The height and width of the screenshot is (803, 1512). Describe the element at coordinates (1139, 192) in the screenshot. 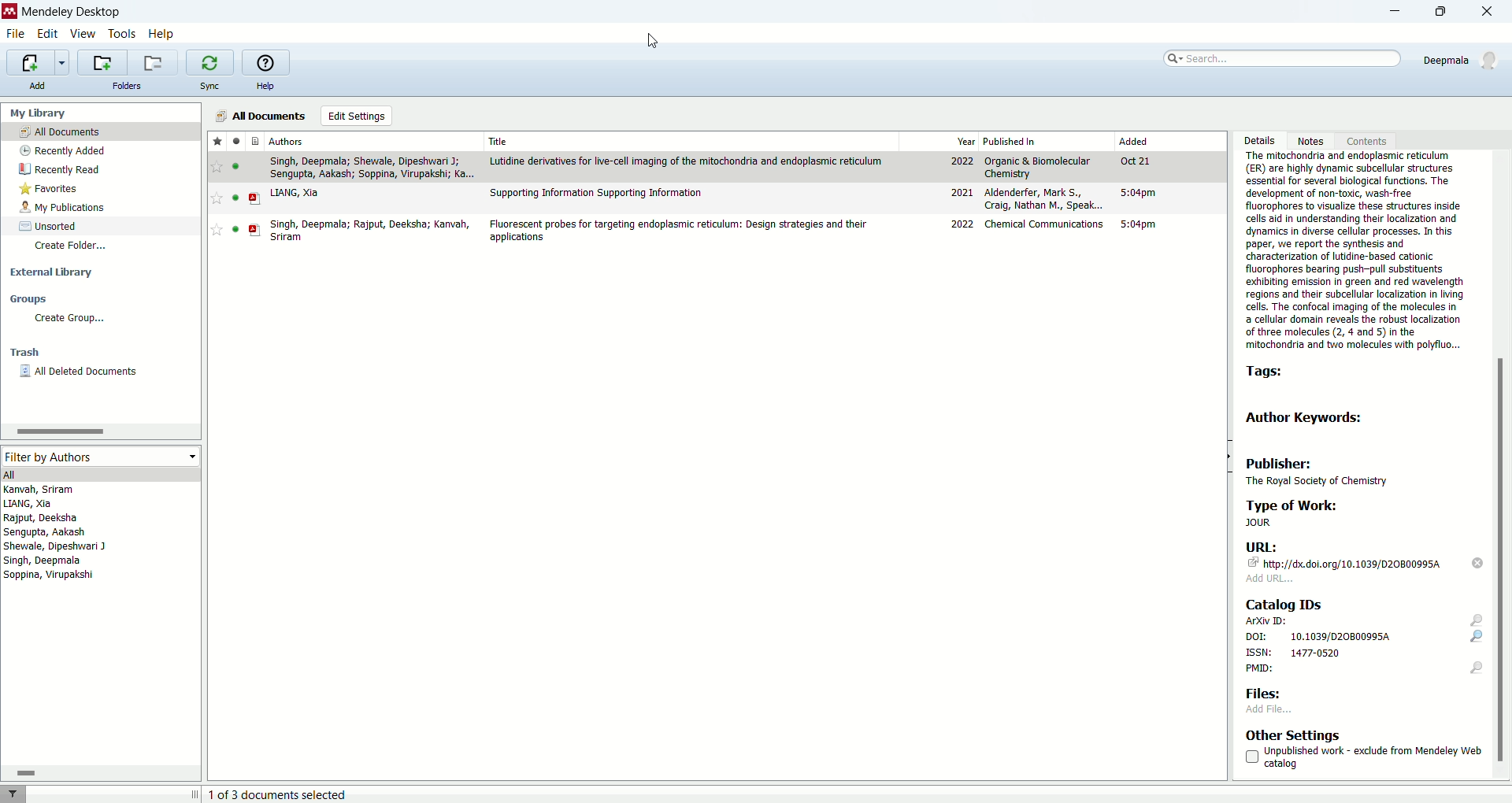

I see `5:04pm` at that location.